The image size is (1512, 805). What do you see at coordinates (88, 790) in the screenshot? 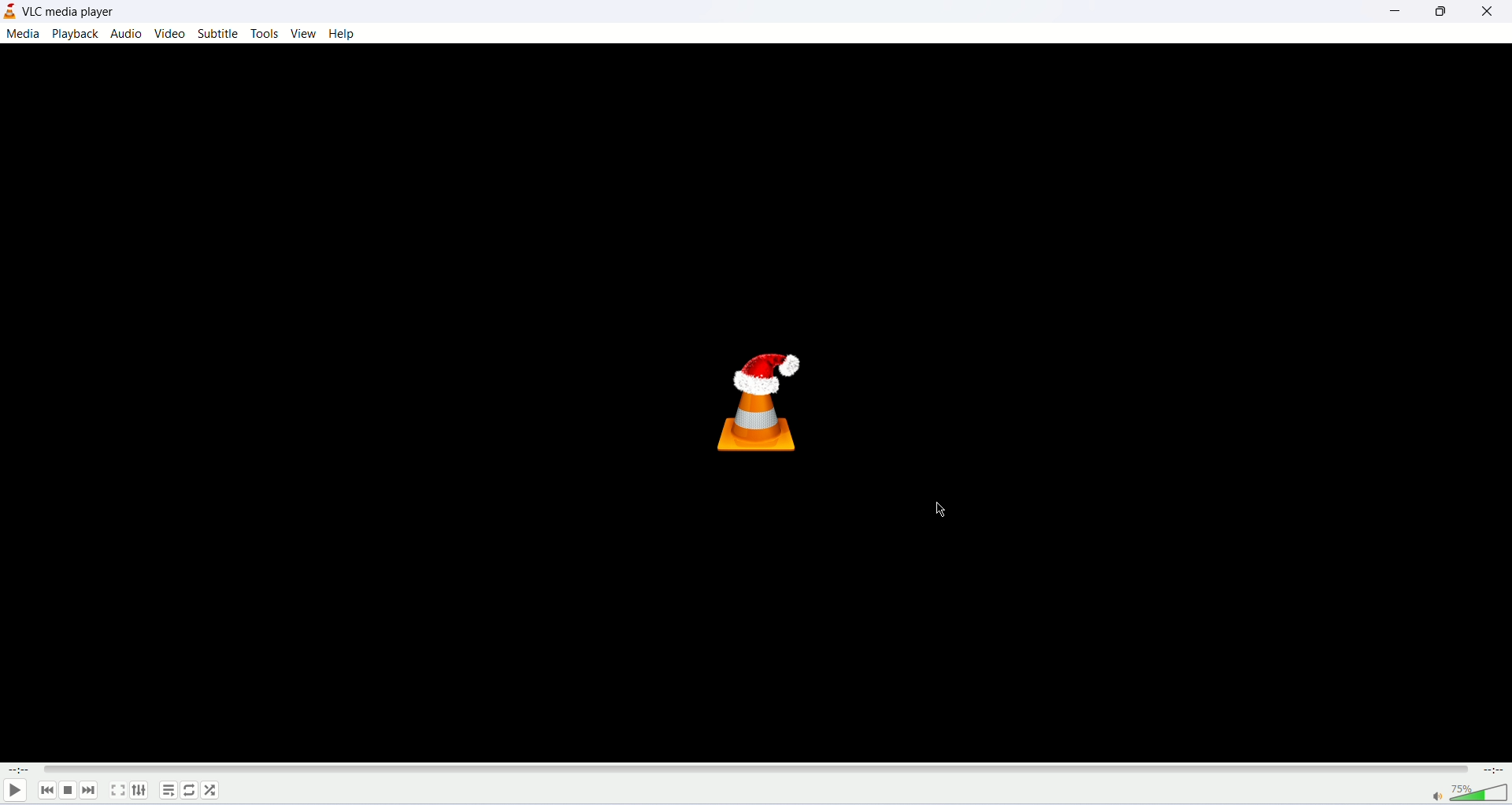
I see `next` at bounding box center [88, 790].